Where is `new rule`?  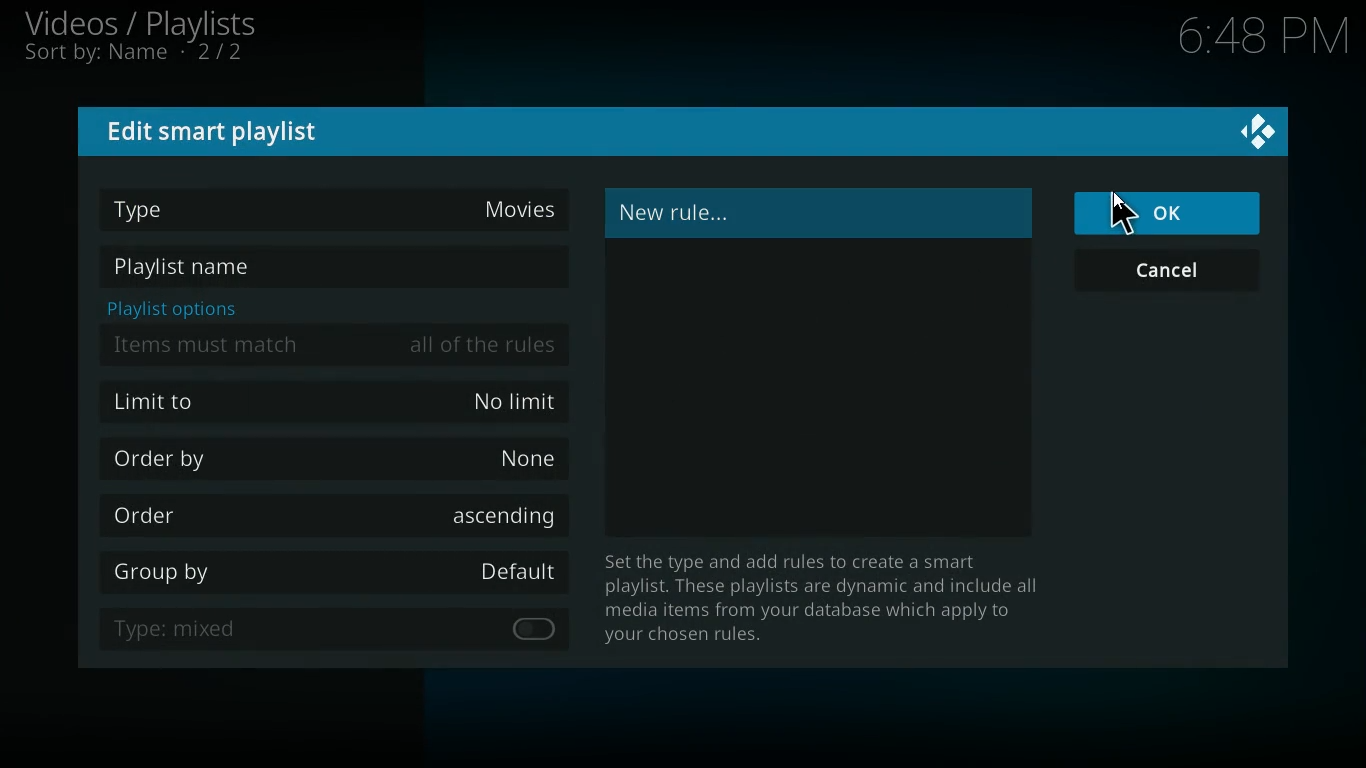
new rule is located at coordinates (722, 214).